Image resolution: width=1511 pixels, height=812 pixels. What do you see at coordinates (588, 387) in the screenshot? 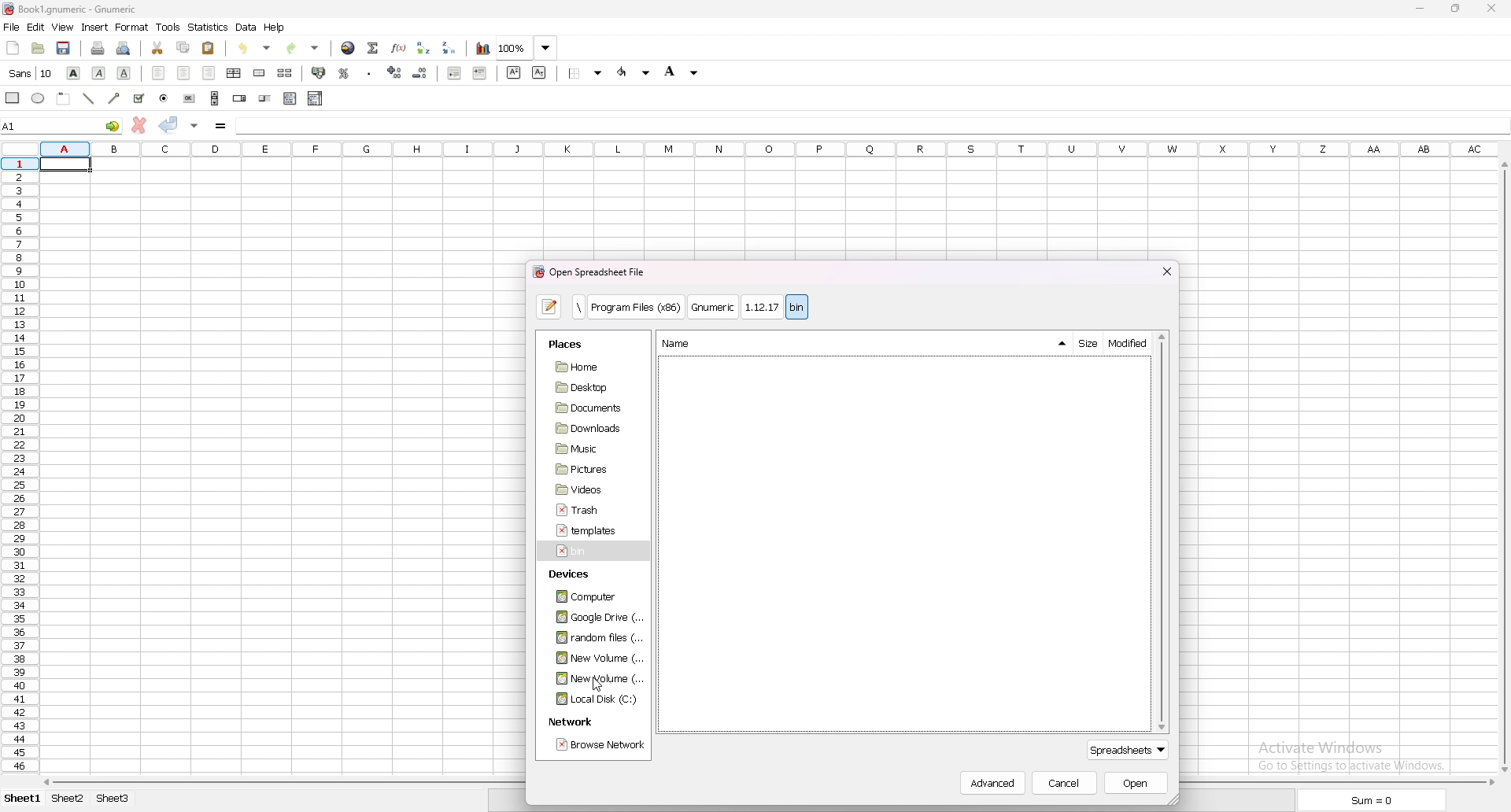
I see `desktop` at bounding box center [588, 387].